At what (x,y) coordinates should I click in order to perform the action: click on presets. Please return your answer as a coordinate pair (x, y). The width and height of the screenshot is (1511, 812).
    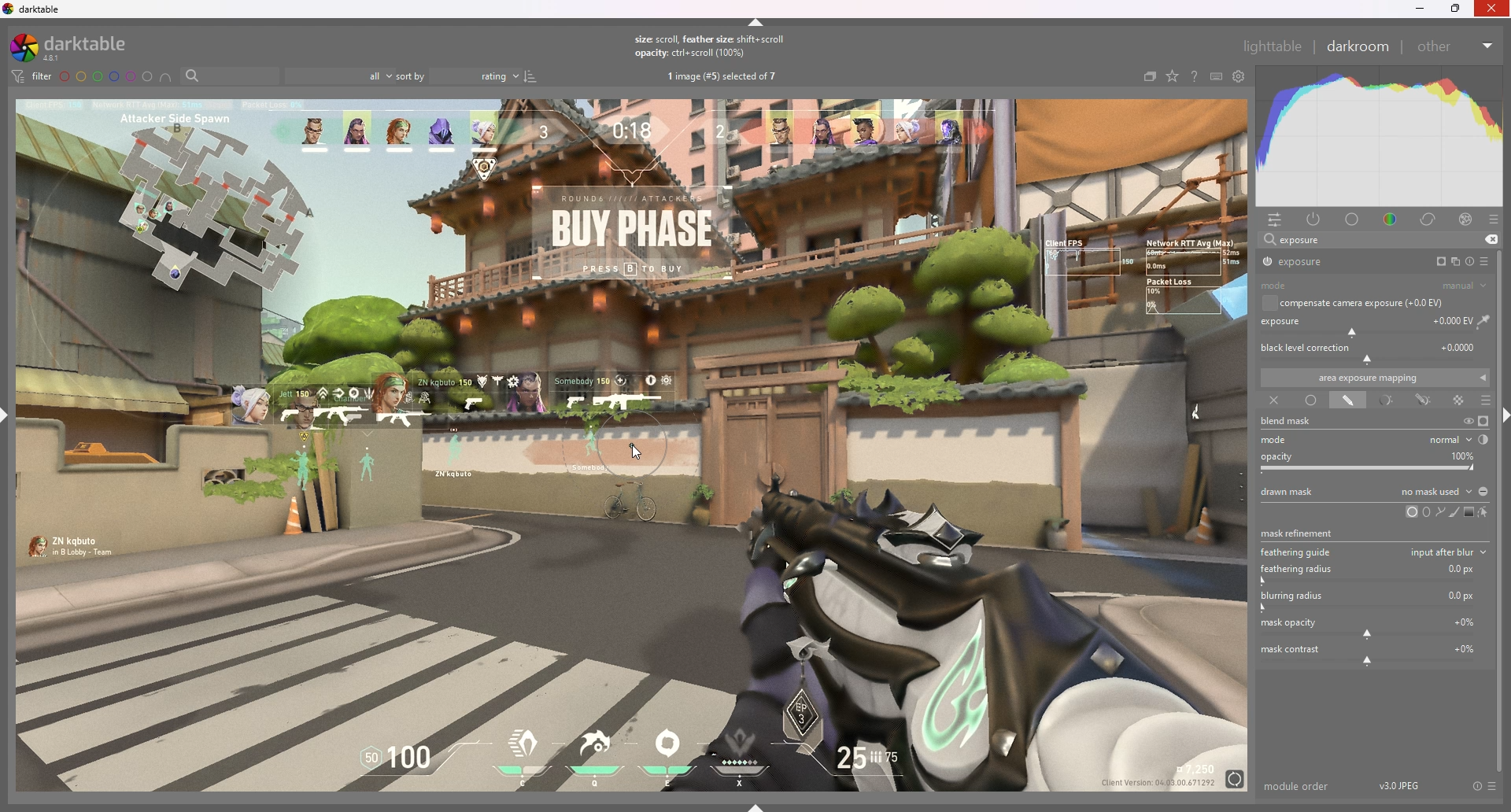
    Looking at the image, I should click on (1493, 220).